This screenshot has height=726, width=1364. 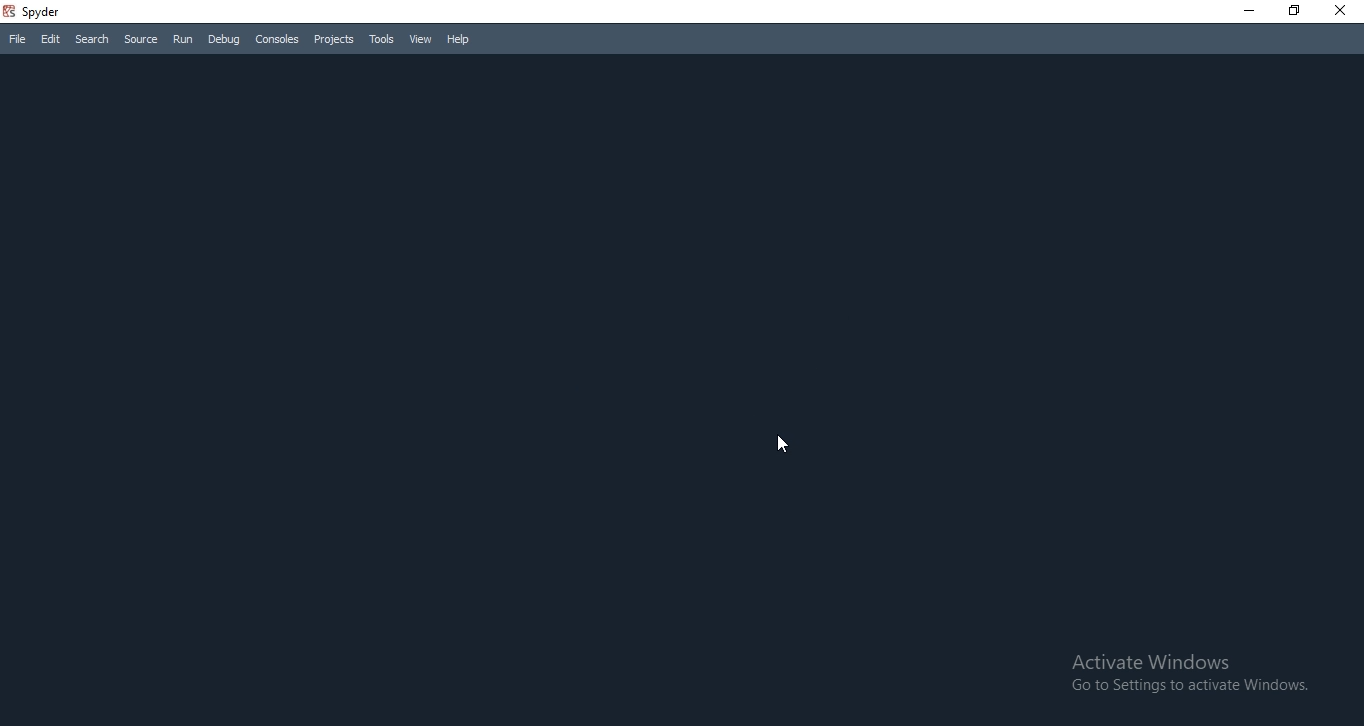 I want to click on spyder logo, so click(x=9, y=12).